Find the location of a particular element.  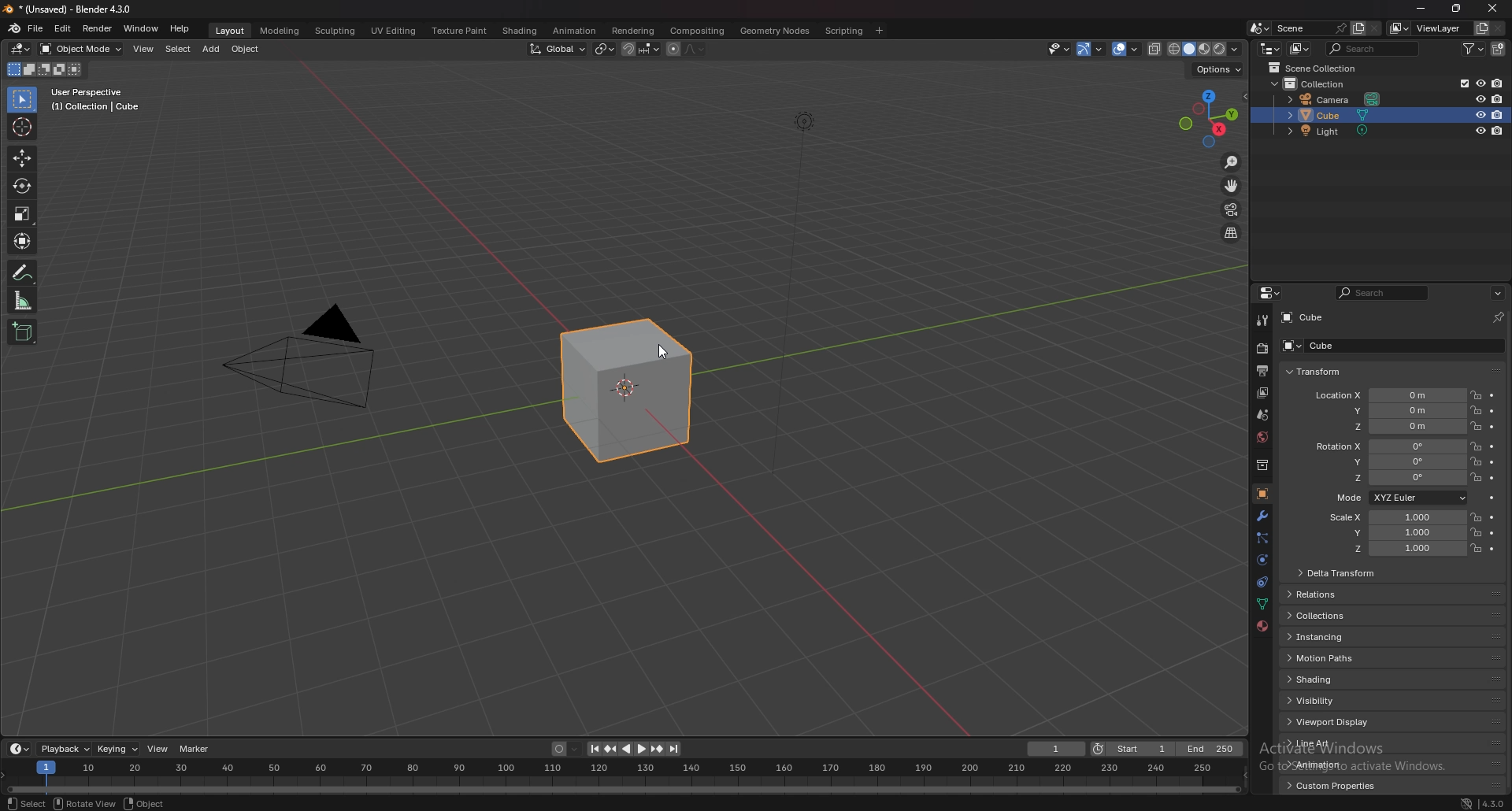

animate property is located at coordinates (1492, 462).